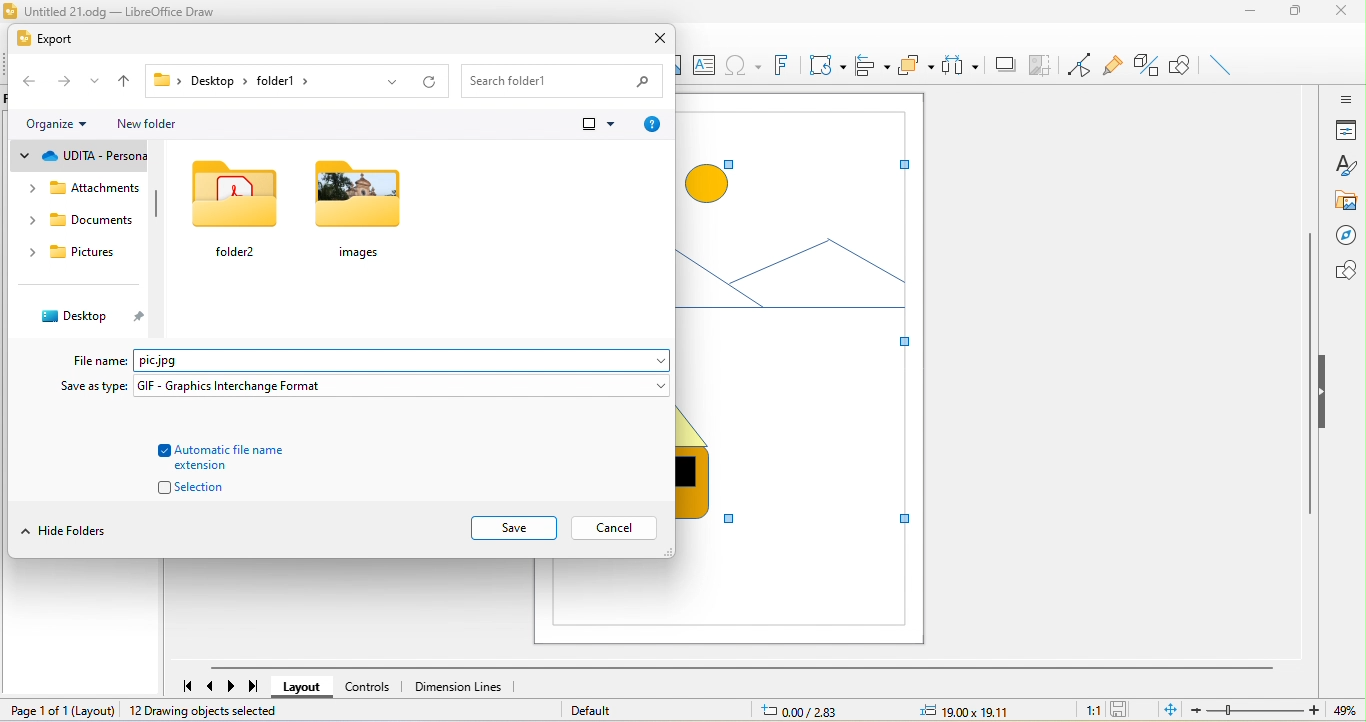  Describe the element at coordinates (85, 317) in the screenshot. I see `desktop` at that location.